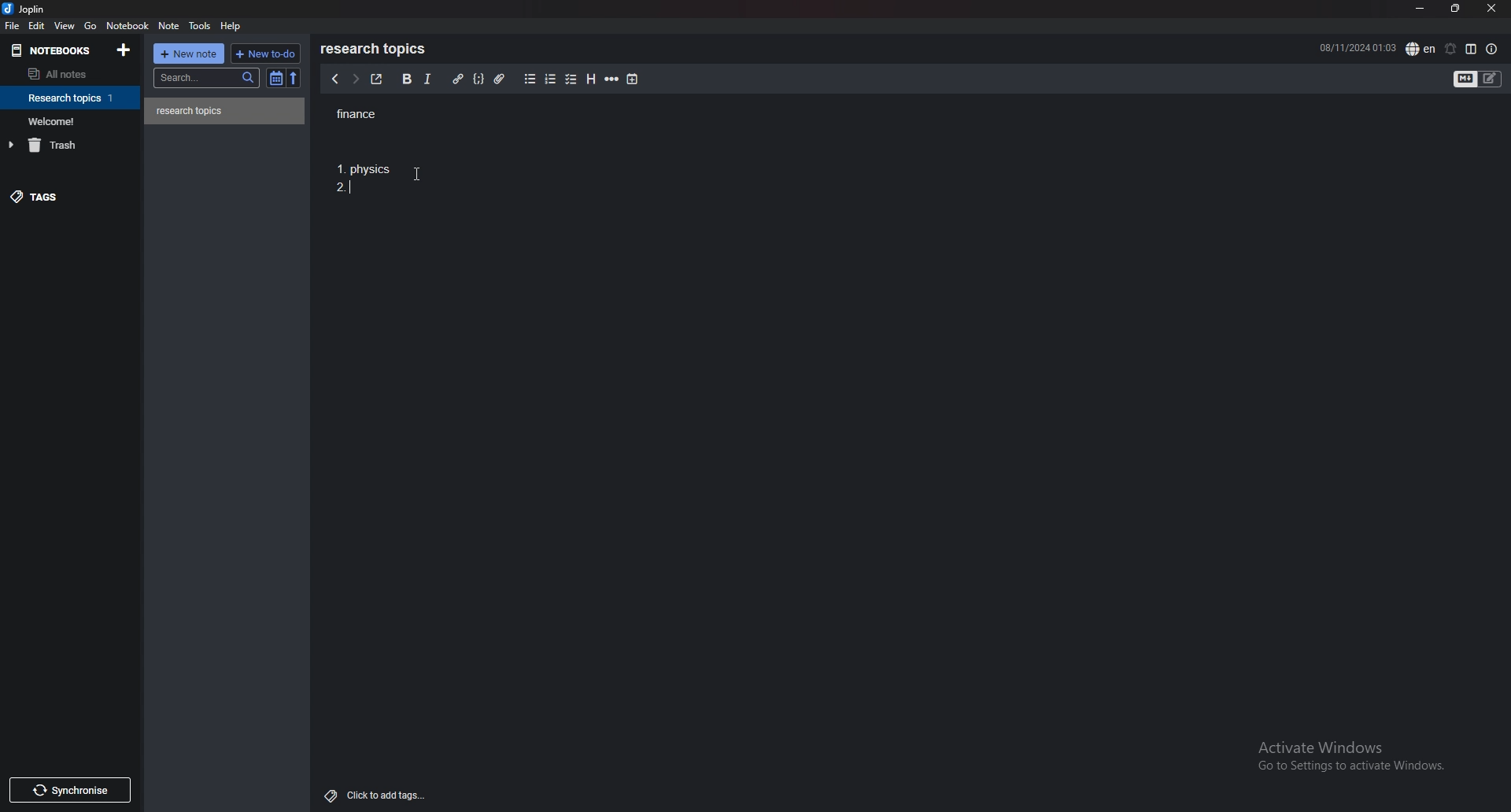 Image resolution: width=1511 pixels, height=812 pixels. I want to click on bullet list, so click(530, 79).